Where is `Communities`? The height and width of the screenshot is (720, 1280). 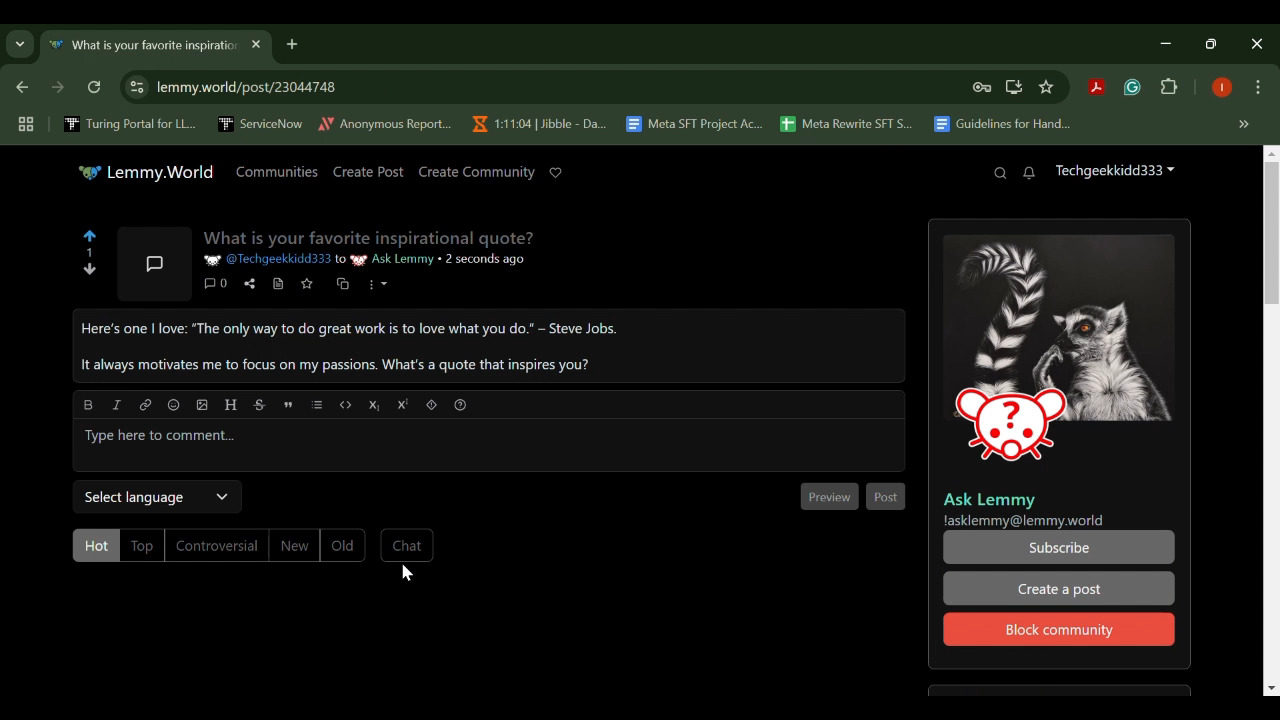
Communities is located at coordinates (278, 169).